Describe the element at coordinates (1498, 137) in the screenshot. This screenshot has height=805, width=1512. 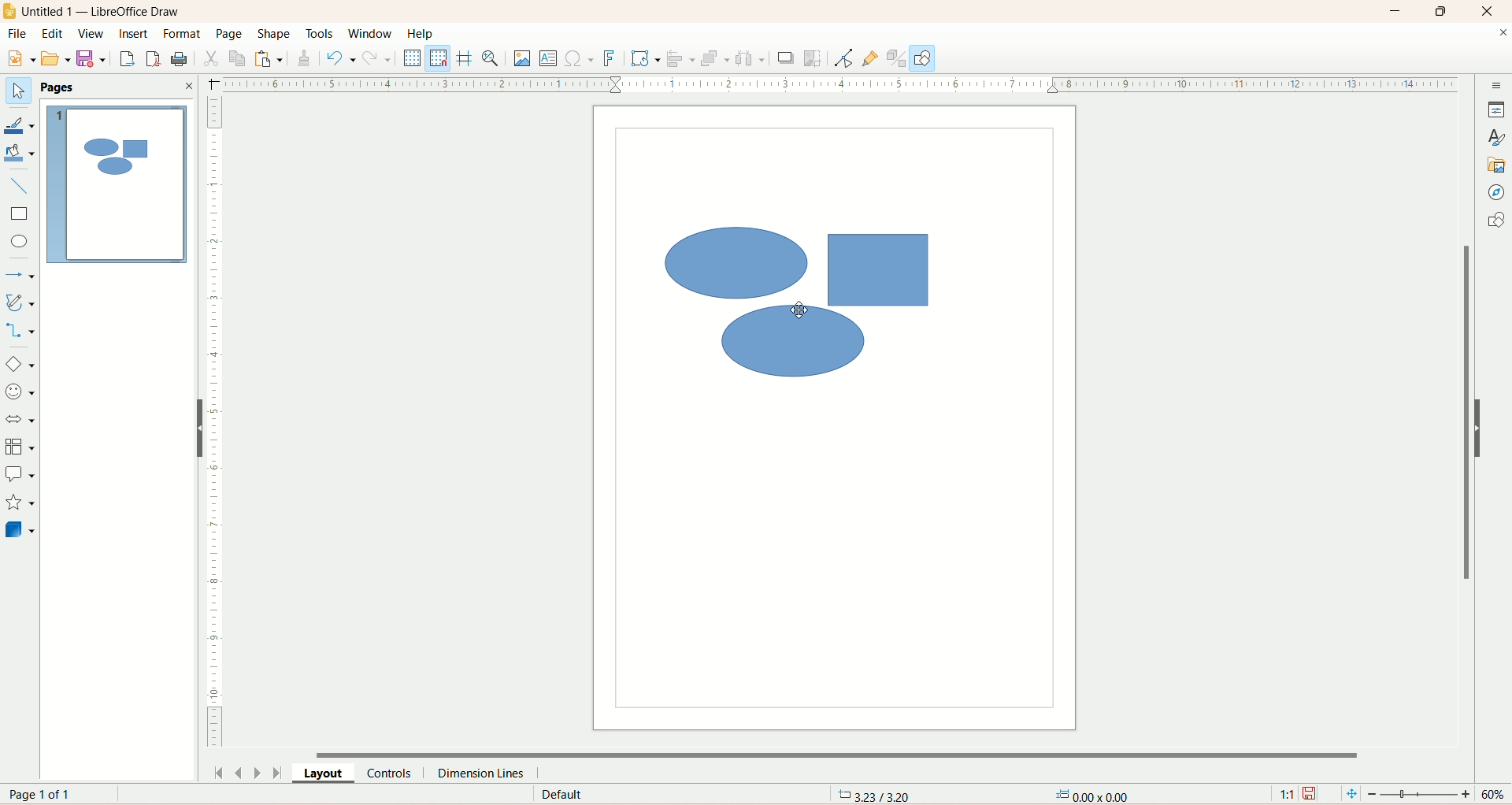
I see `styles` at that location.